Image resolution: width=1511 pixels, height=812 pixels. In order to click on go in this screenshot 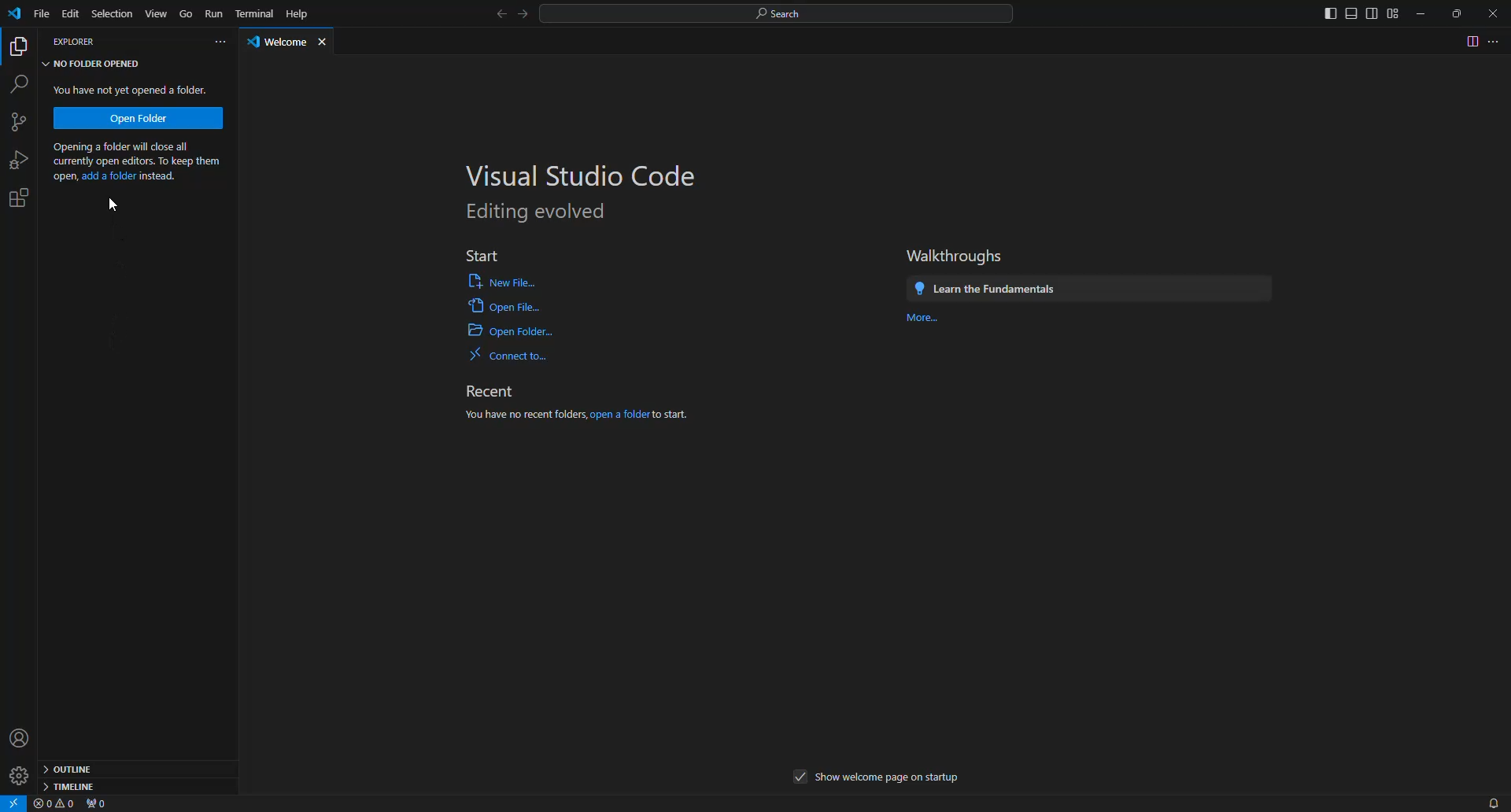, I will do `click(186, 13)`.